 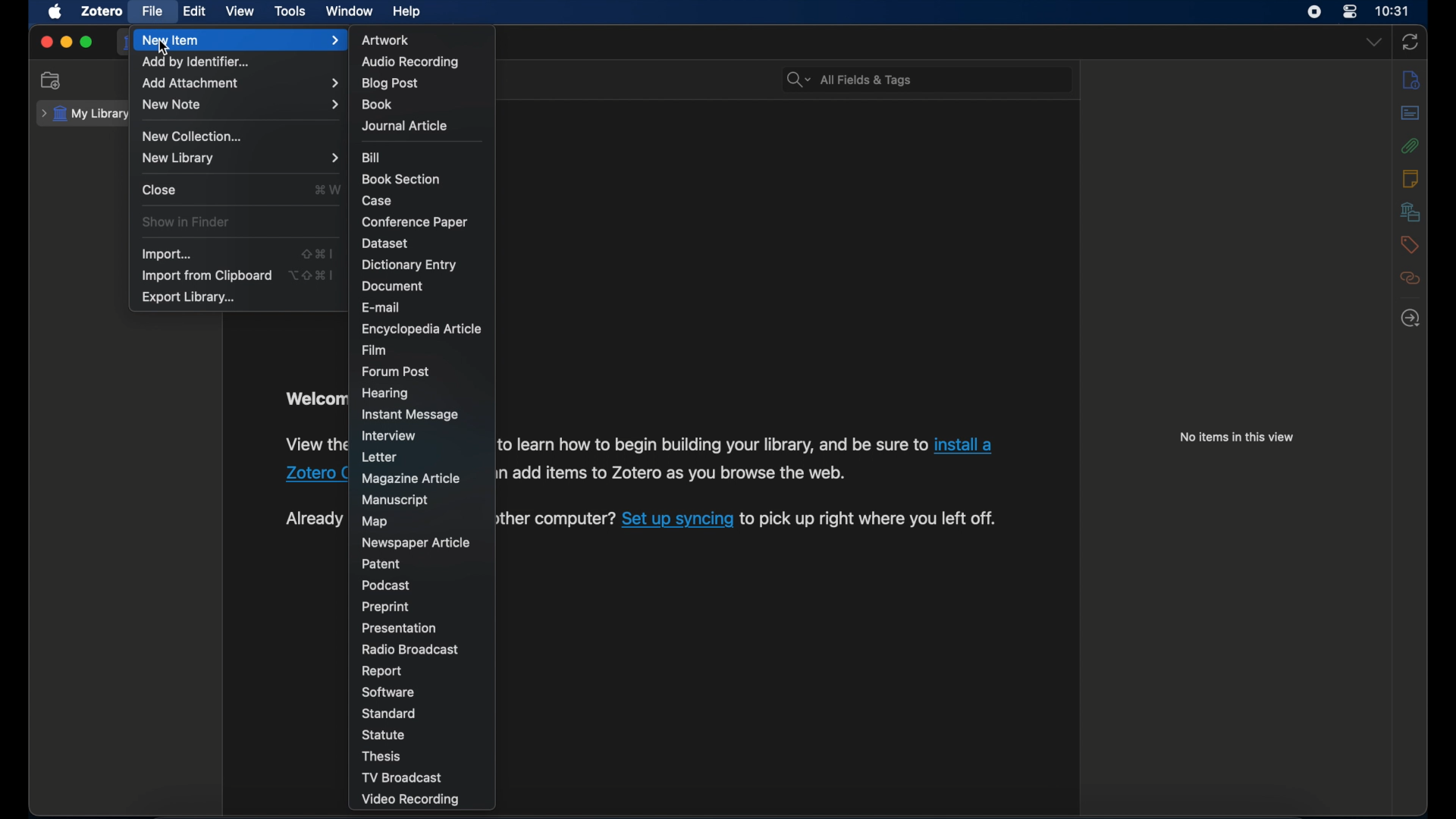 What do you see at coordinates (386, 394) in the screenshot?
I see `hearing` at bounding box center [386, 394].